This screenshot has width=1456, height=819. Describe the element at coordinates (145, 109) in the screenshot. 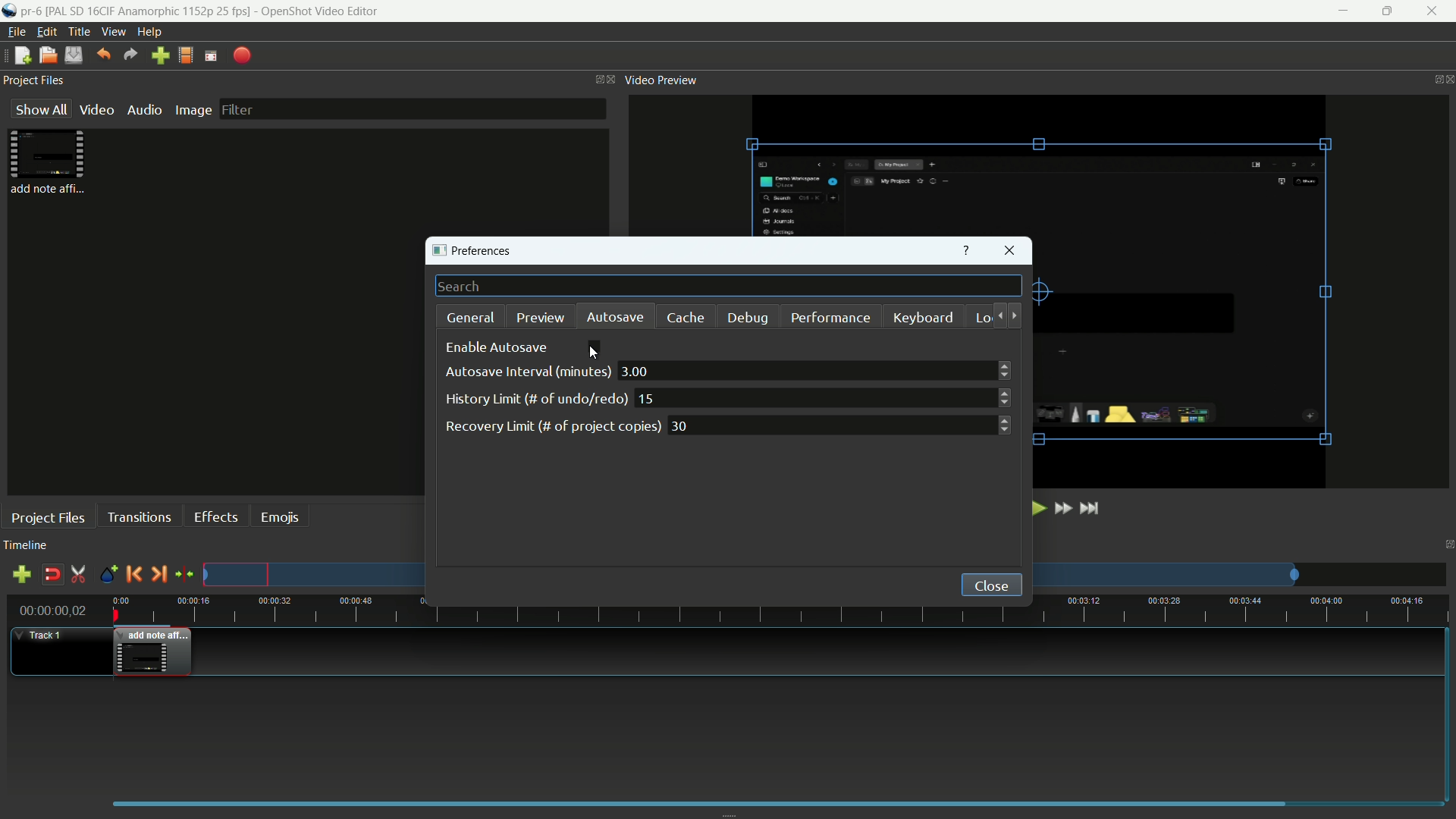

I see `audio` at that location.